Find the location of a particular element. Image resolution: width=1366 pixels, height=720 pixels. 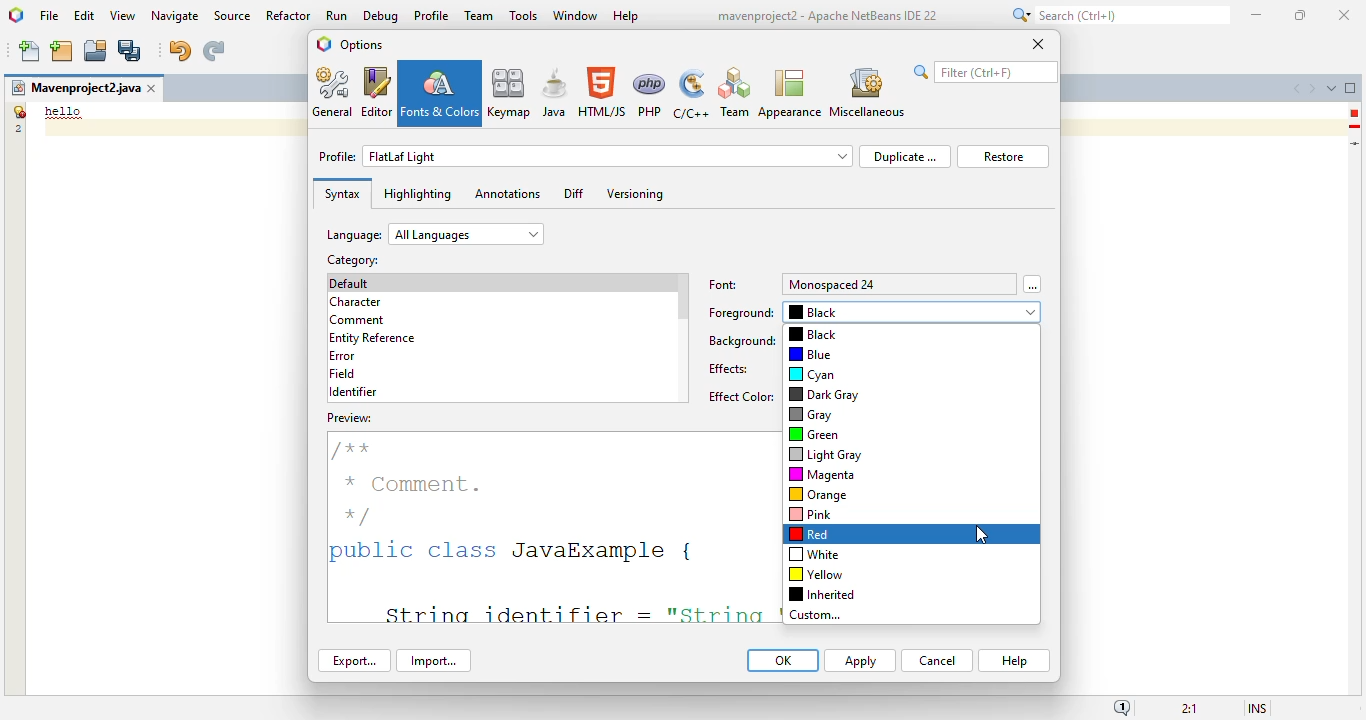

scroll documents left is located at coordinates (1299, 89).